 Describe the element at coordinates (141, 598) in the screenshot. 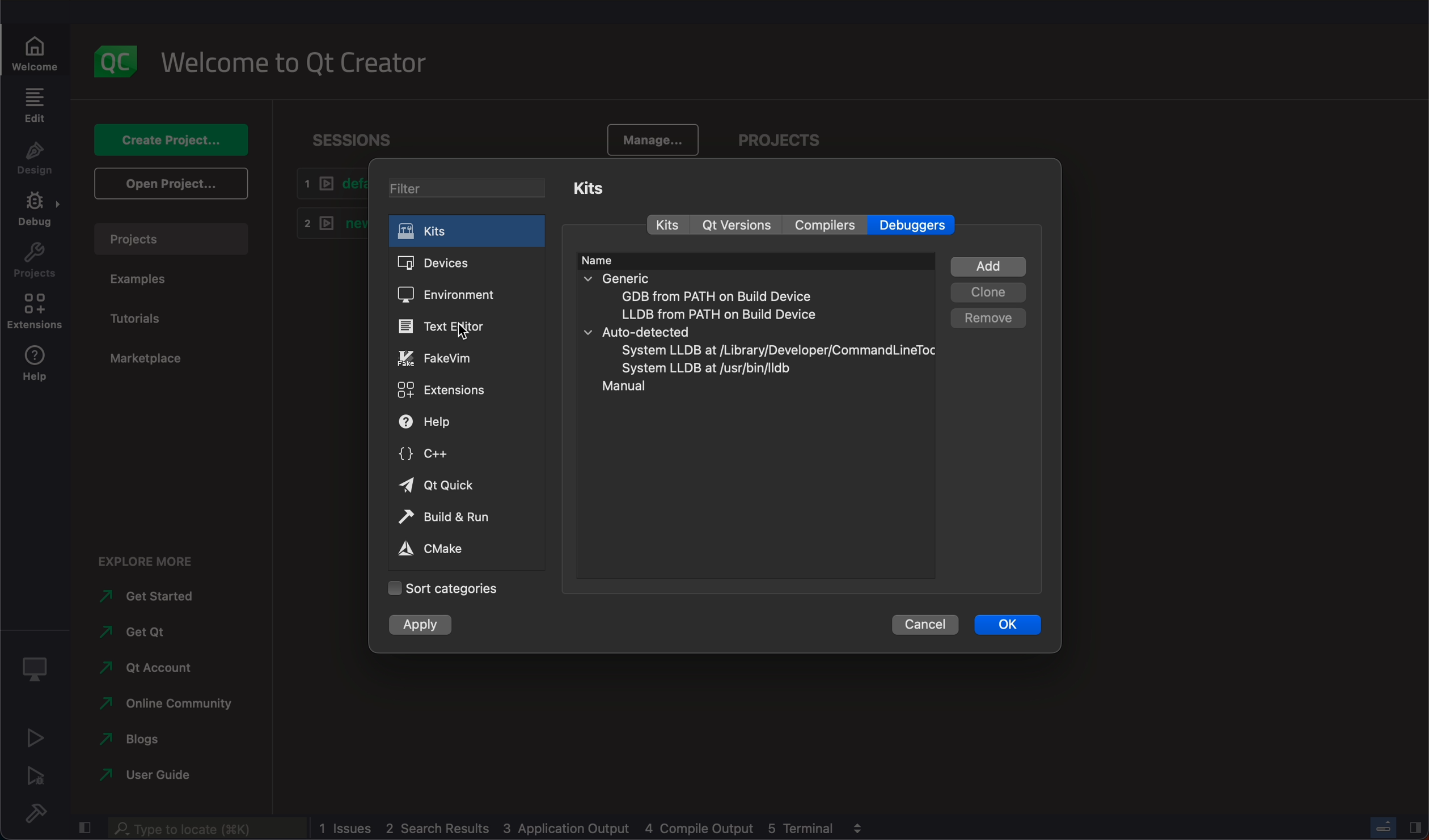

I see `started` at that location.